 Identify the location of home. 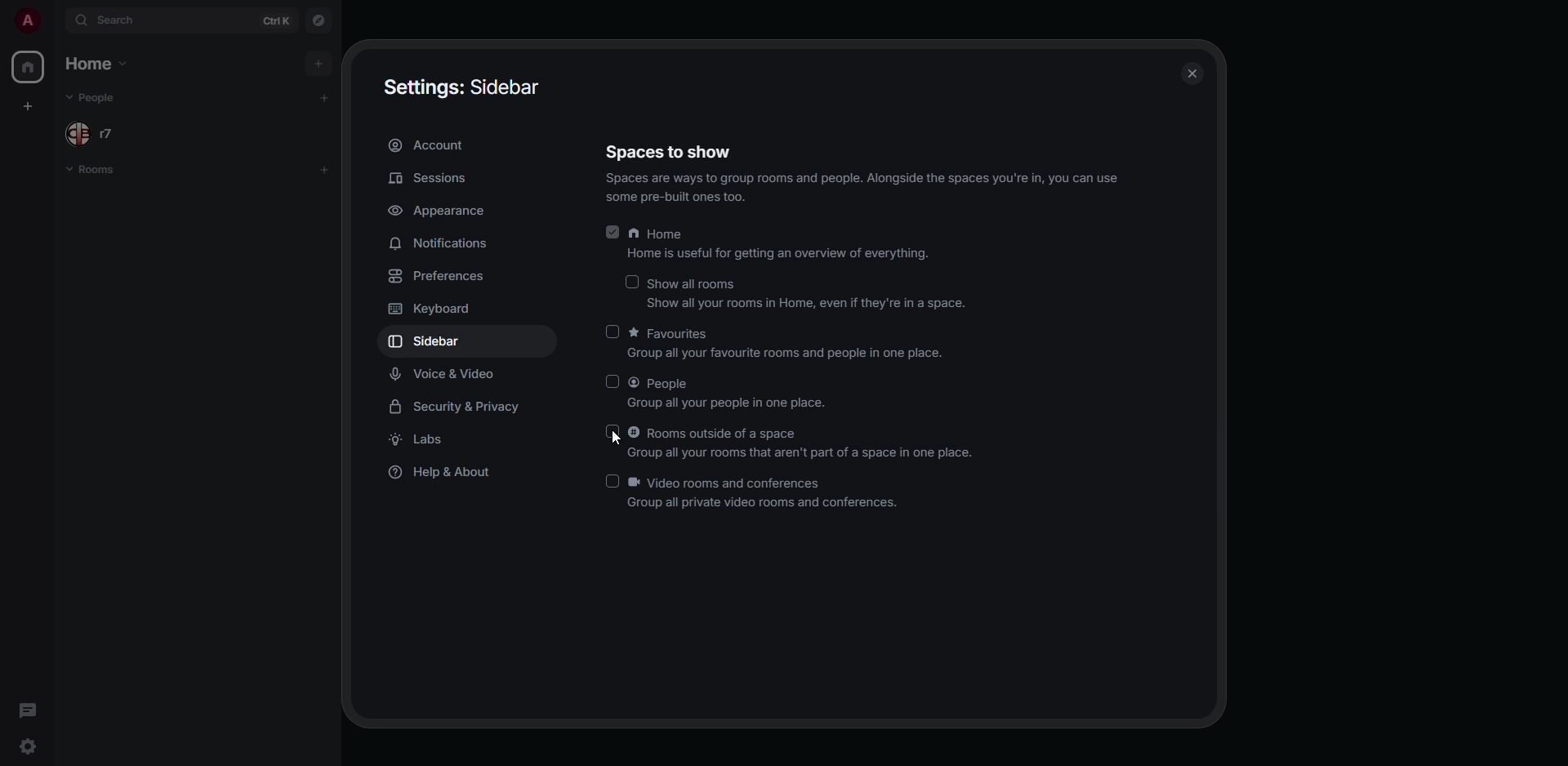
(29, 65).